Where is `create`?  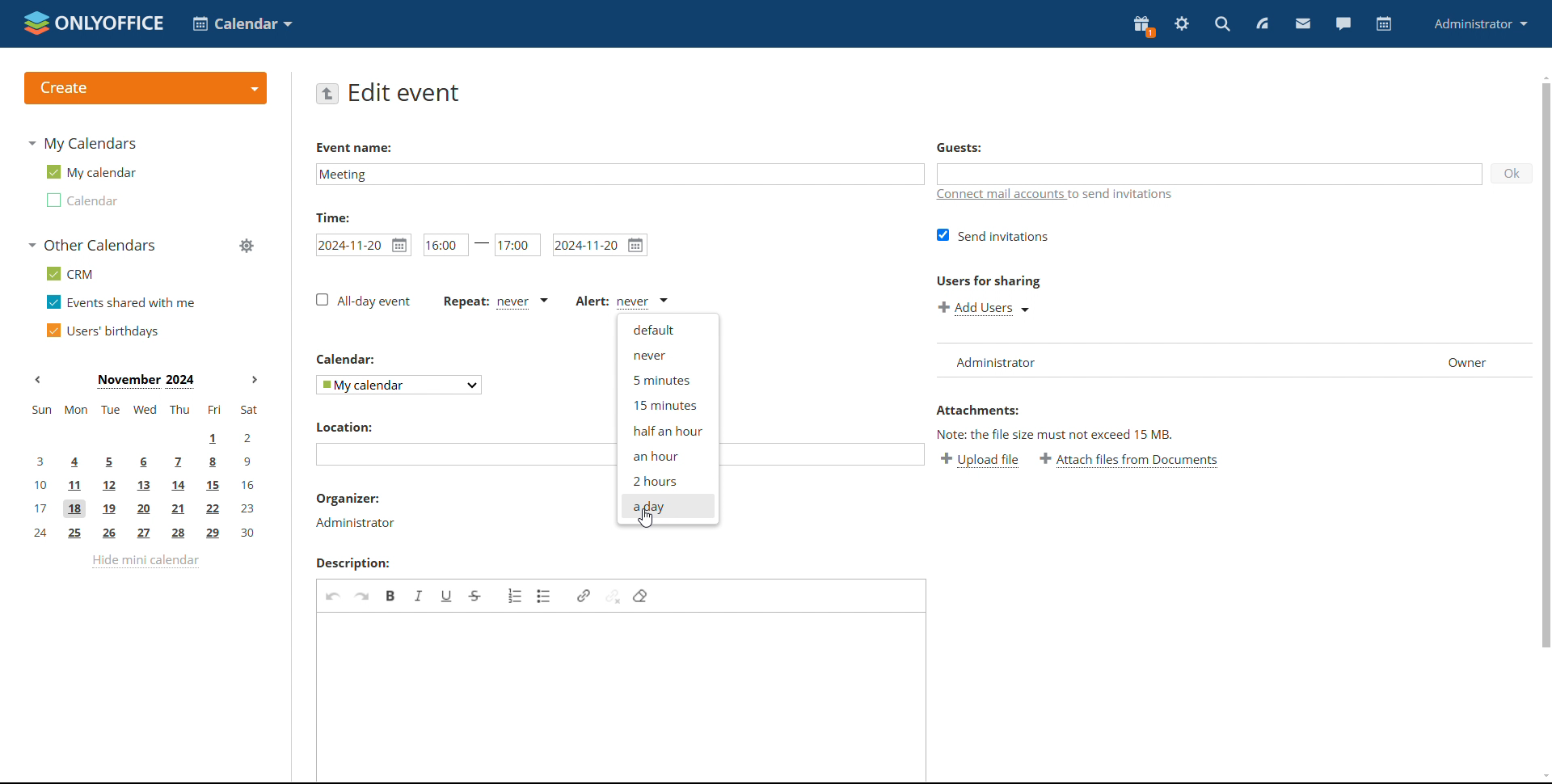
create is located at coordinates (145, 88).